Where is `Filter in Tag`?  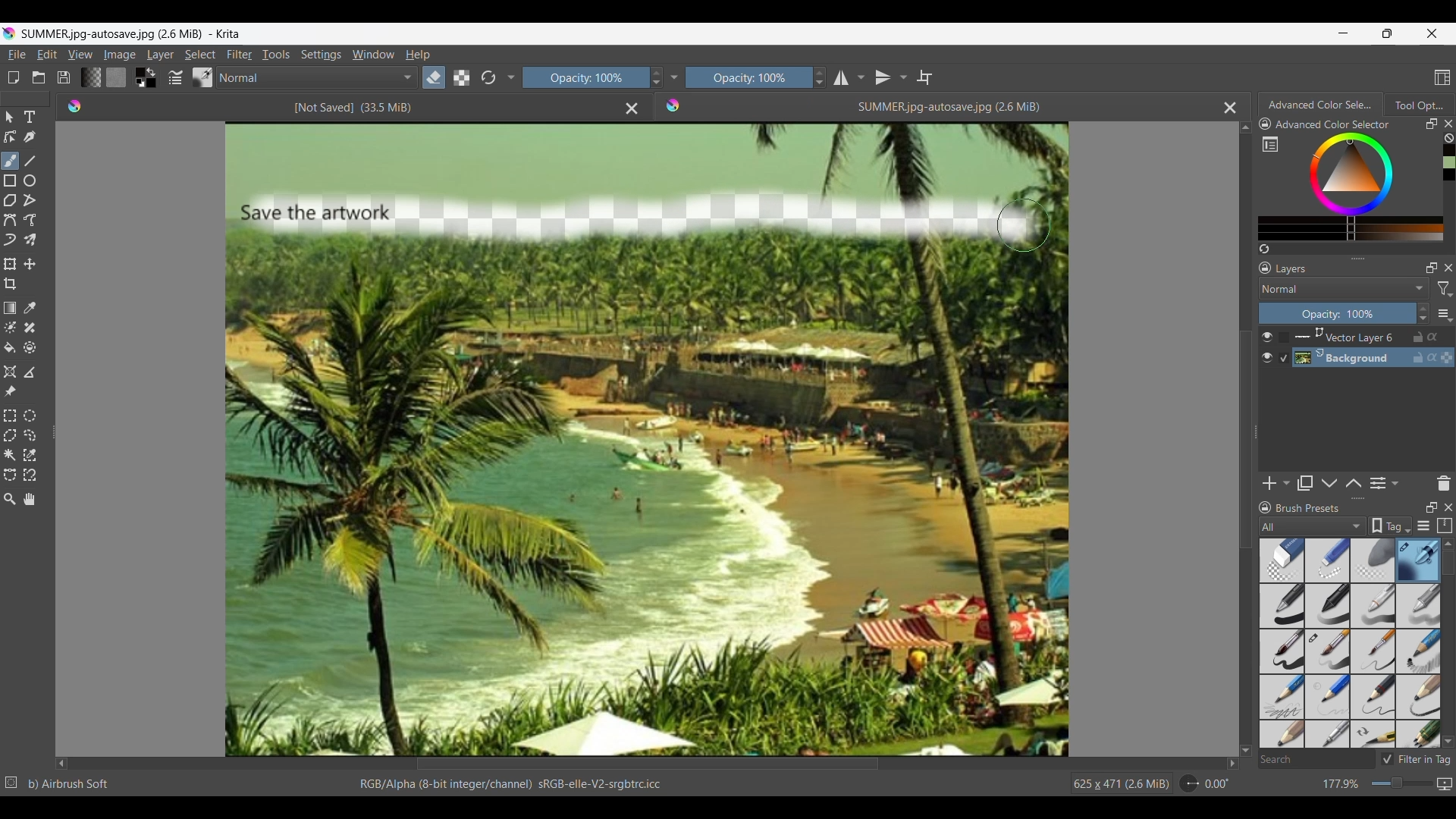 Filter in Tag is located at coordinates (1416, 759).